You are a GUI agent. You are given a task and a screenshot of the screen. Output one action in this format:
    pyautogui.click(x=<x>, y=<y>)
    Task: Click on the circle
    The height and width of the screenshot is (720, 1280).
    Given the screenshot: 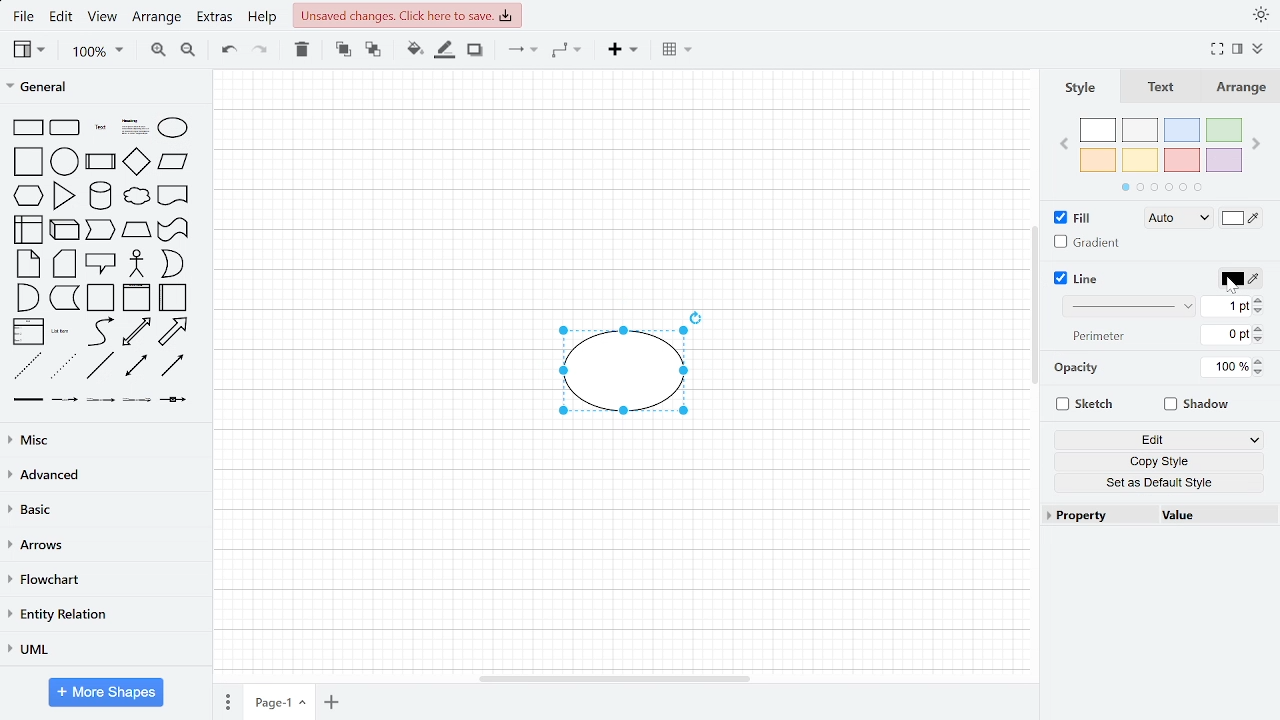 What is the action you would take?
    pyautogui.click(x=64, y=163)
    